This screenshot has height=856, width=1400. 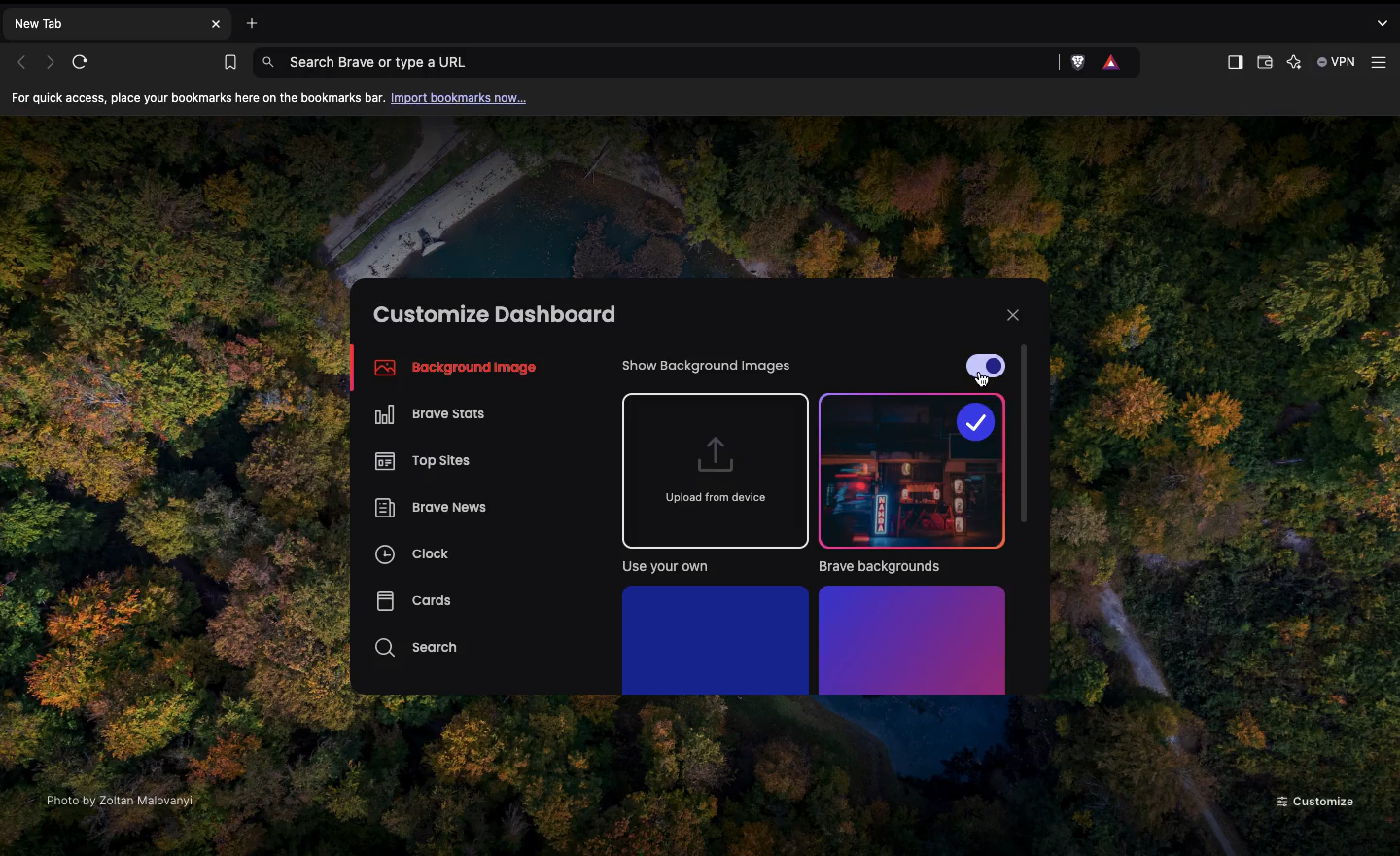 I want to click on search tabs, so click(x=1382, y=23).